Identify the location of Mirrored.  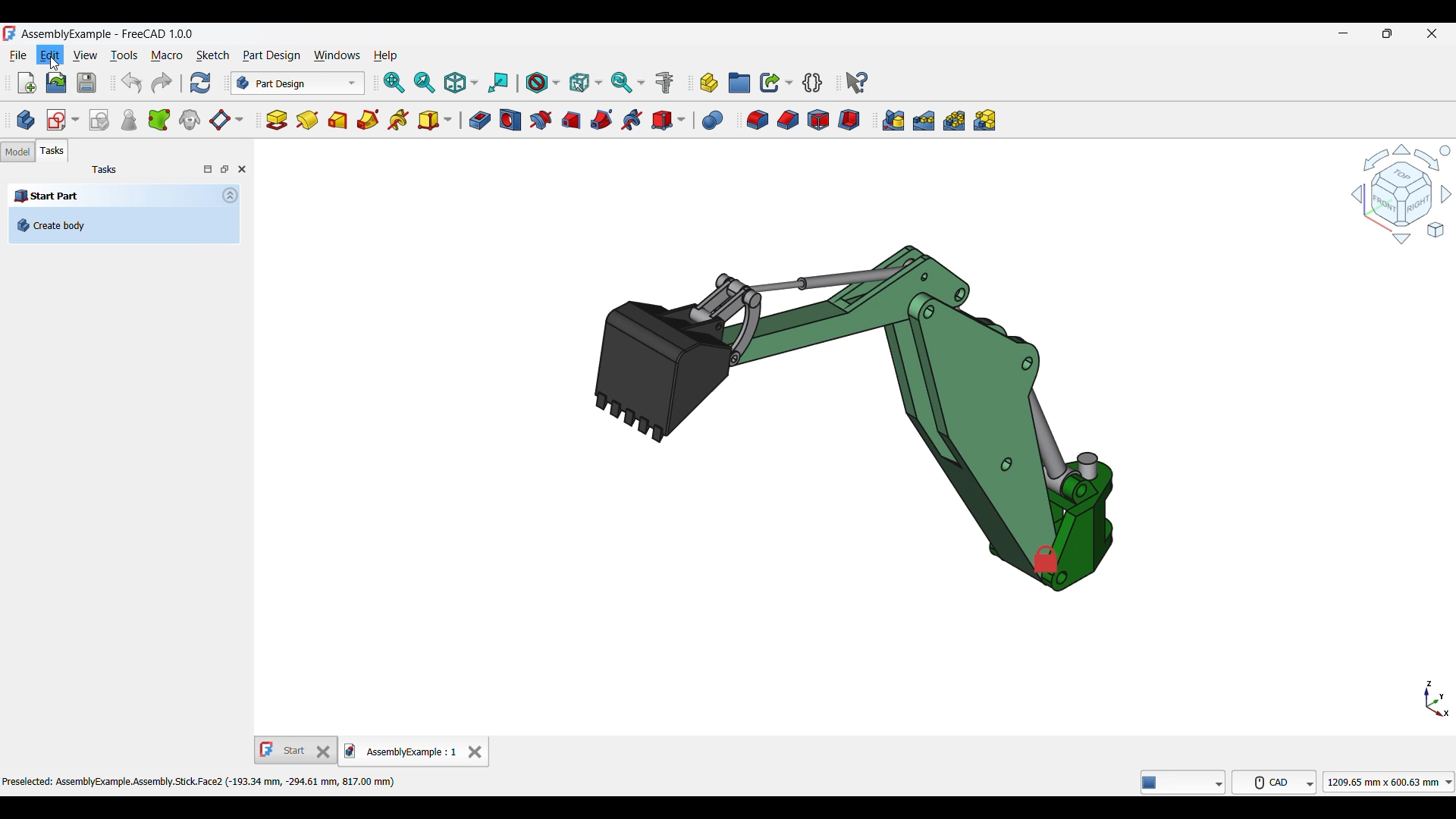
(893, 120).